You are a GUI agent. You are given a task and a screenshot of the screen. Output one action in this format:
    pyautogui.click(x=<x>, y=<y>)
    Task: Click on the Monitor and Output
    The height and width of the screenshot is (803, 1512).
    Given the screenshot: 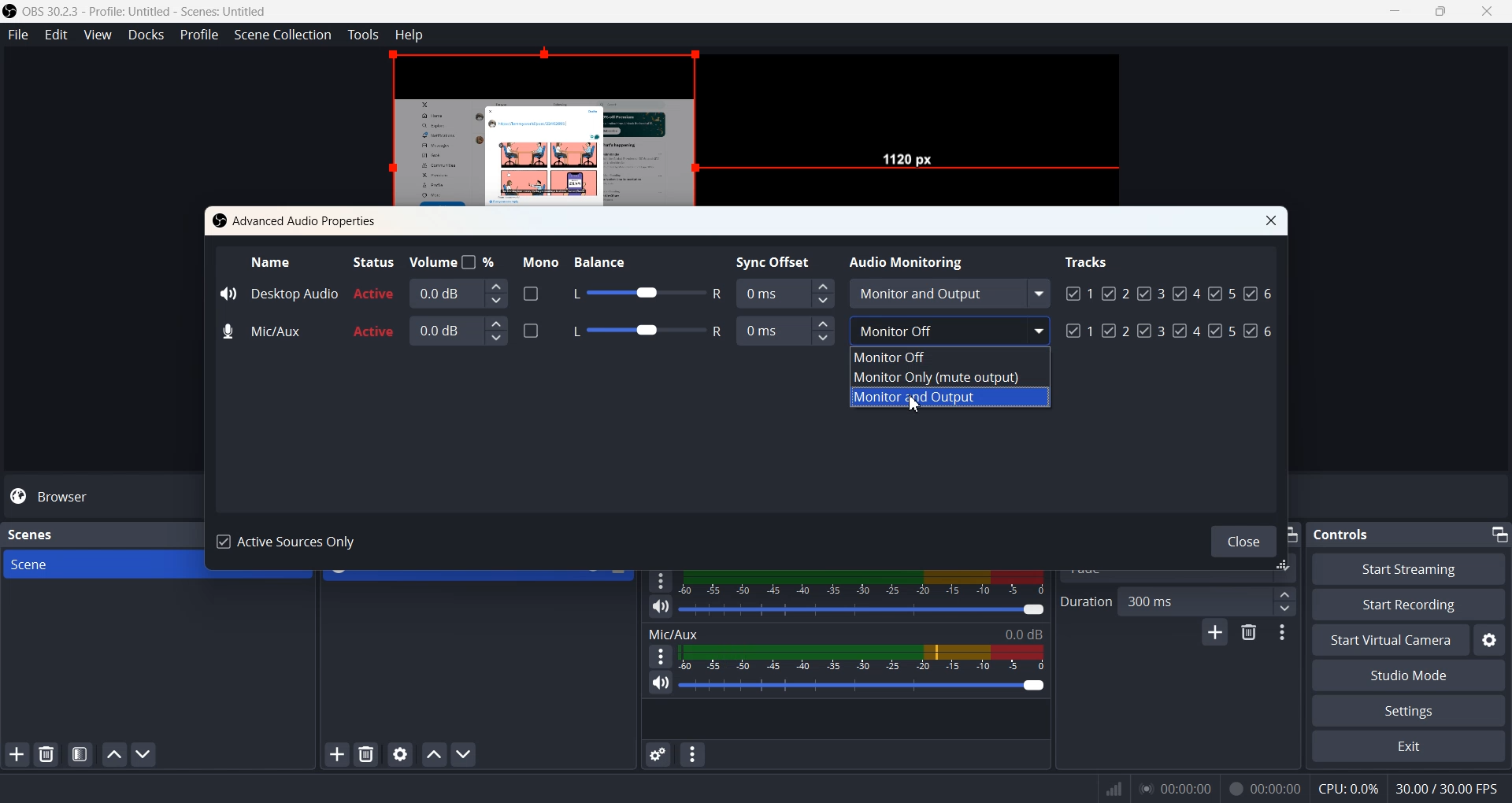 What is the action you would take?
    pyautogui.click(x=948, y=294)
    